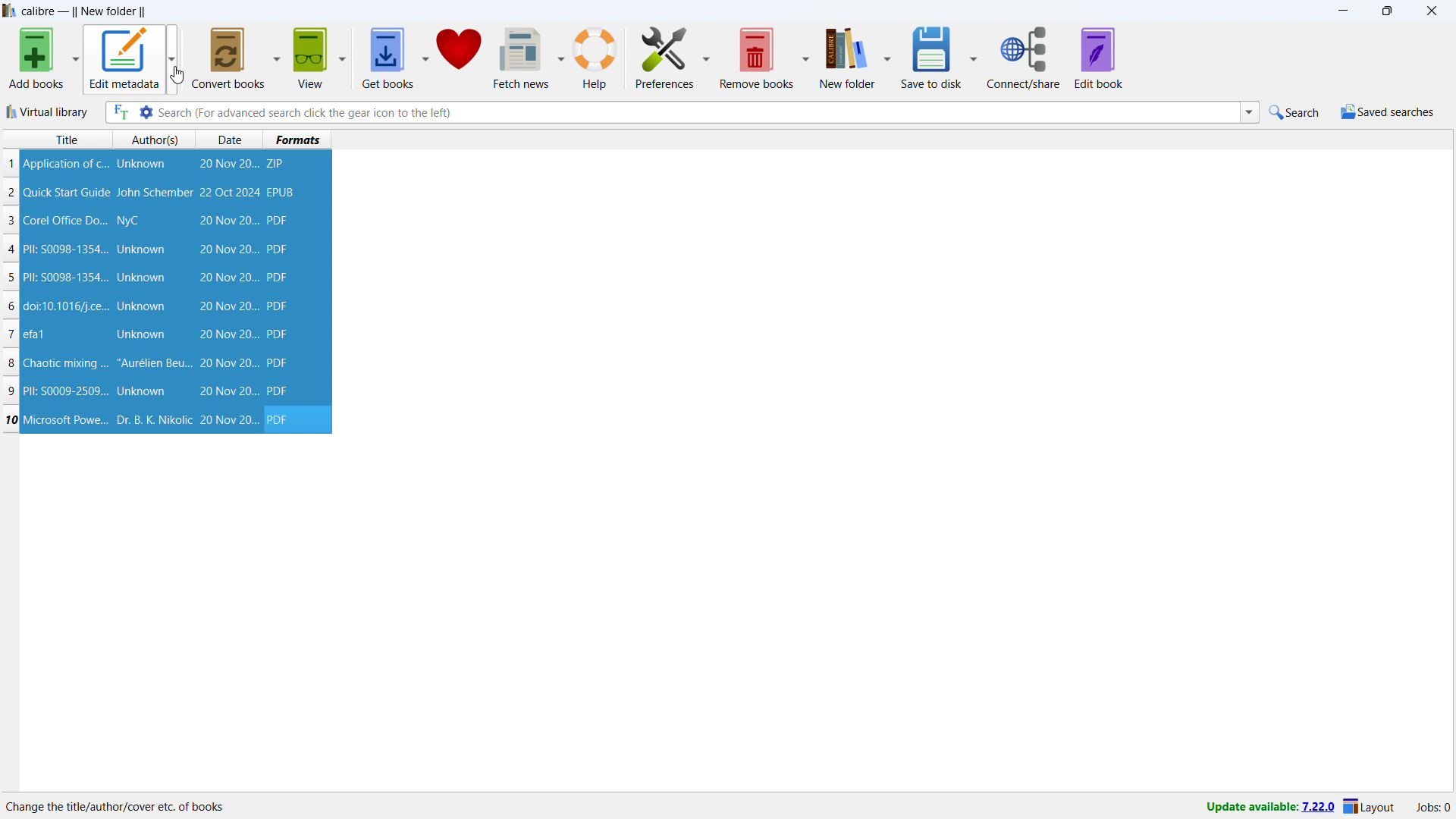 The image size is (1456, 819). What do you see at coordinates (67, 193) in the screenshot?
I see `Quick Start Guide` at bounding box center [67, 193].